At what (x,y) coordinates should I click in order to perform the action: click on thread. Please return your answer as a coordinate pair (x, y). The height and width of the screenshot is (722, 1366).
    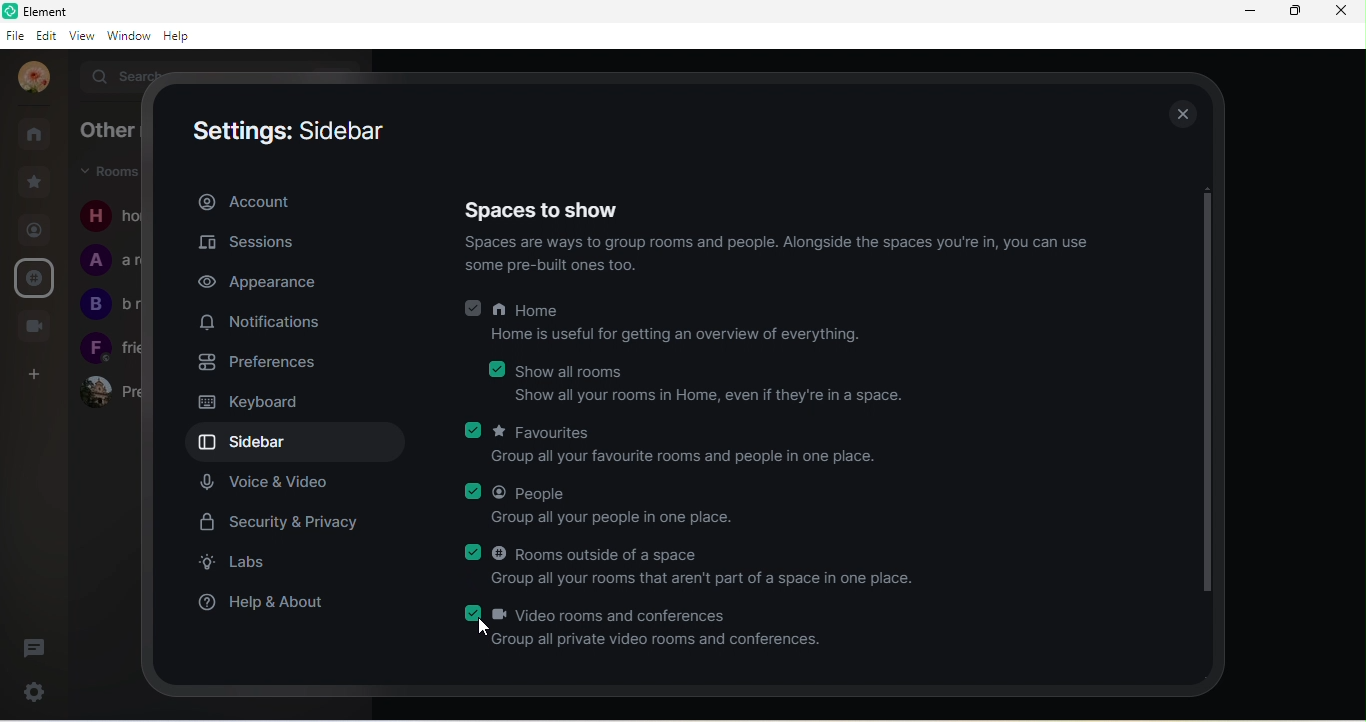
    Looking at the image, I should click on (39, 647).